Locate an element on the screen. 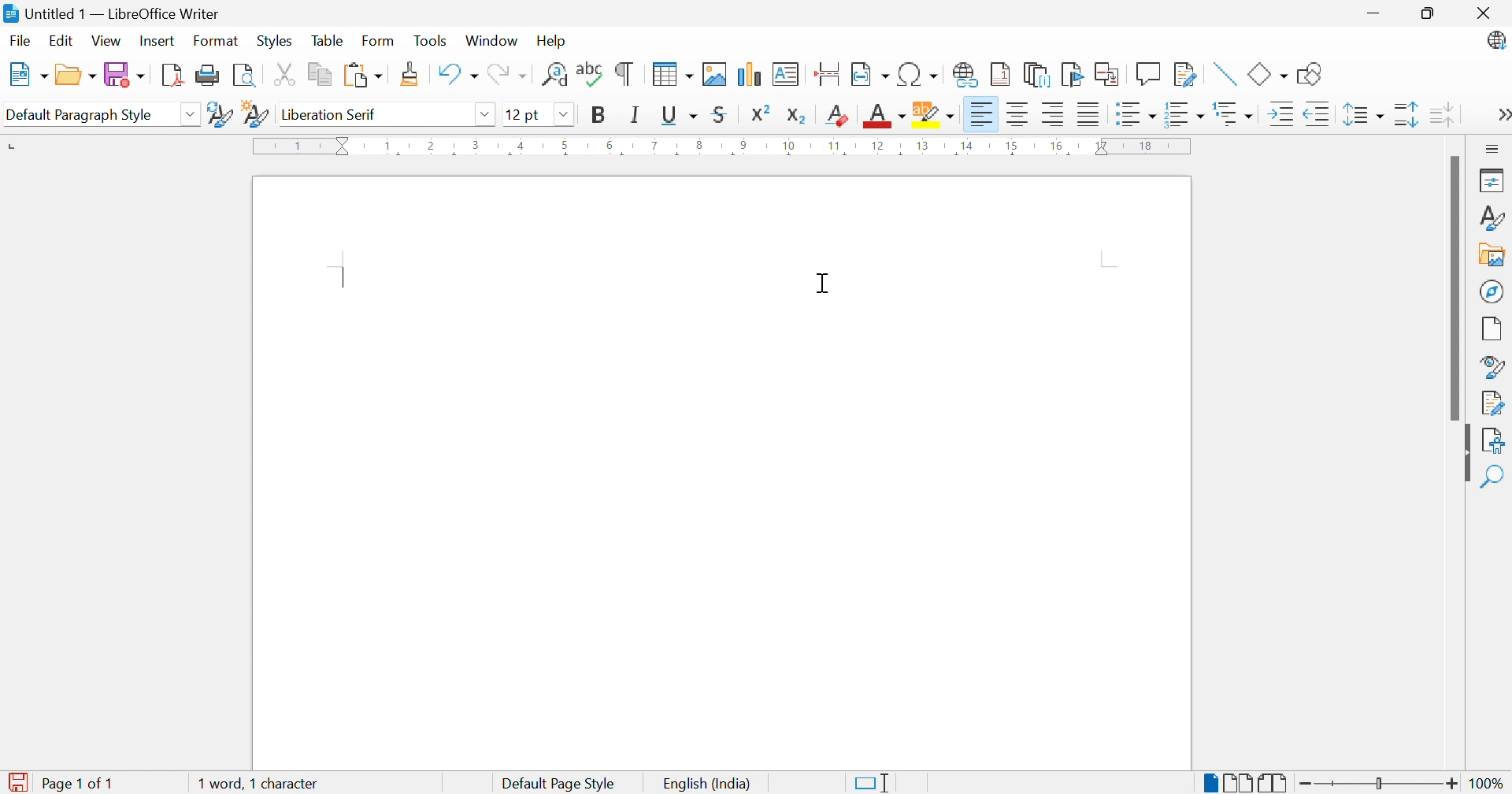 The image size is (1512, 794). 12 pt is located at coordinates (521, 113).